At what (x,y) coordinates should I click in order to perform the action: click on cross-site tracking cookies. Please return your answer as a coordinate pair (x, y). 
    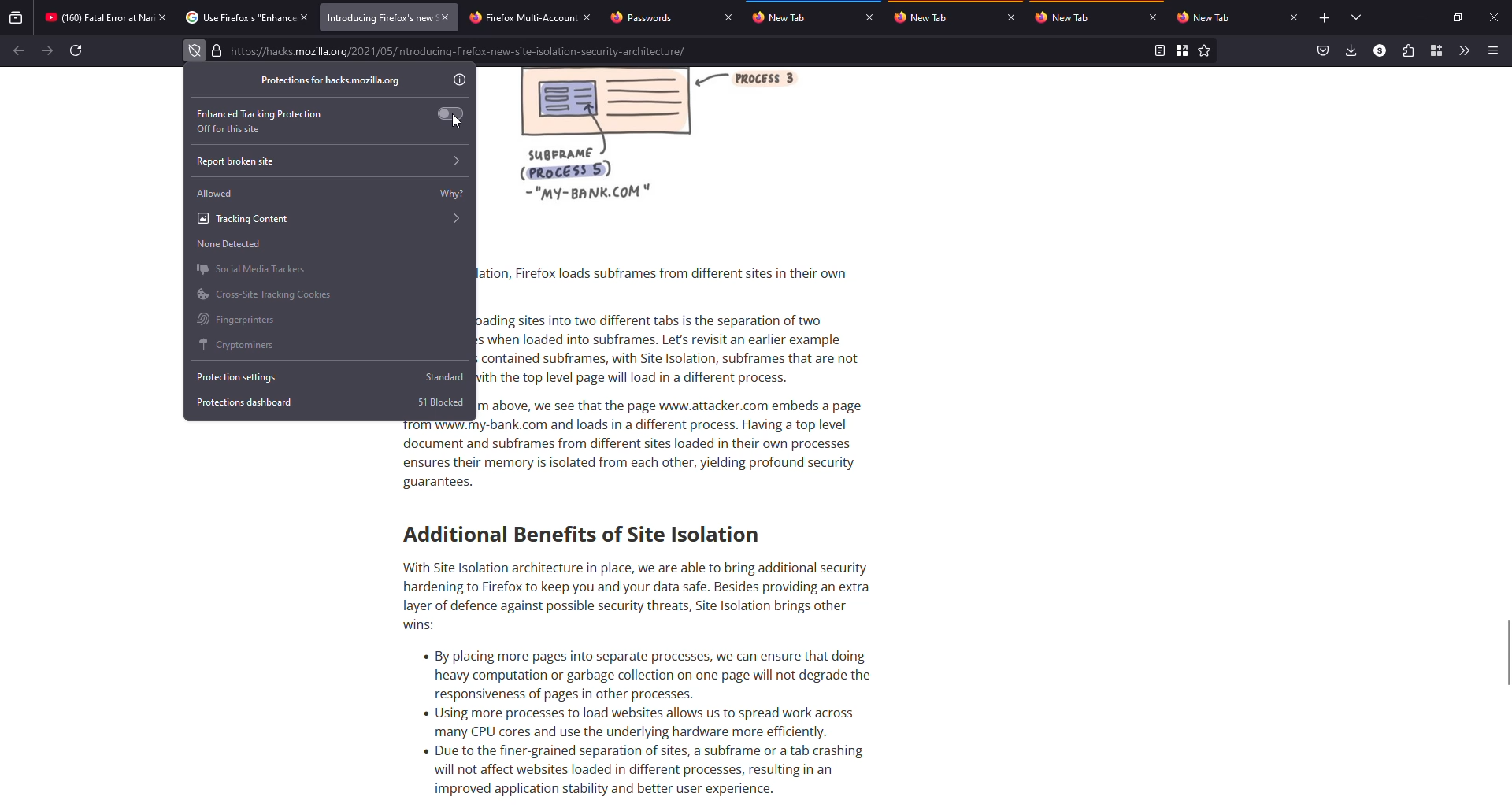
    Looking at the image, I should click on (265, 293).